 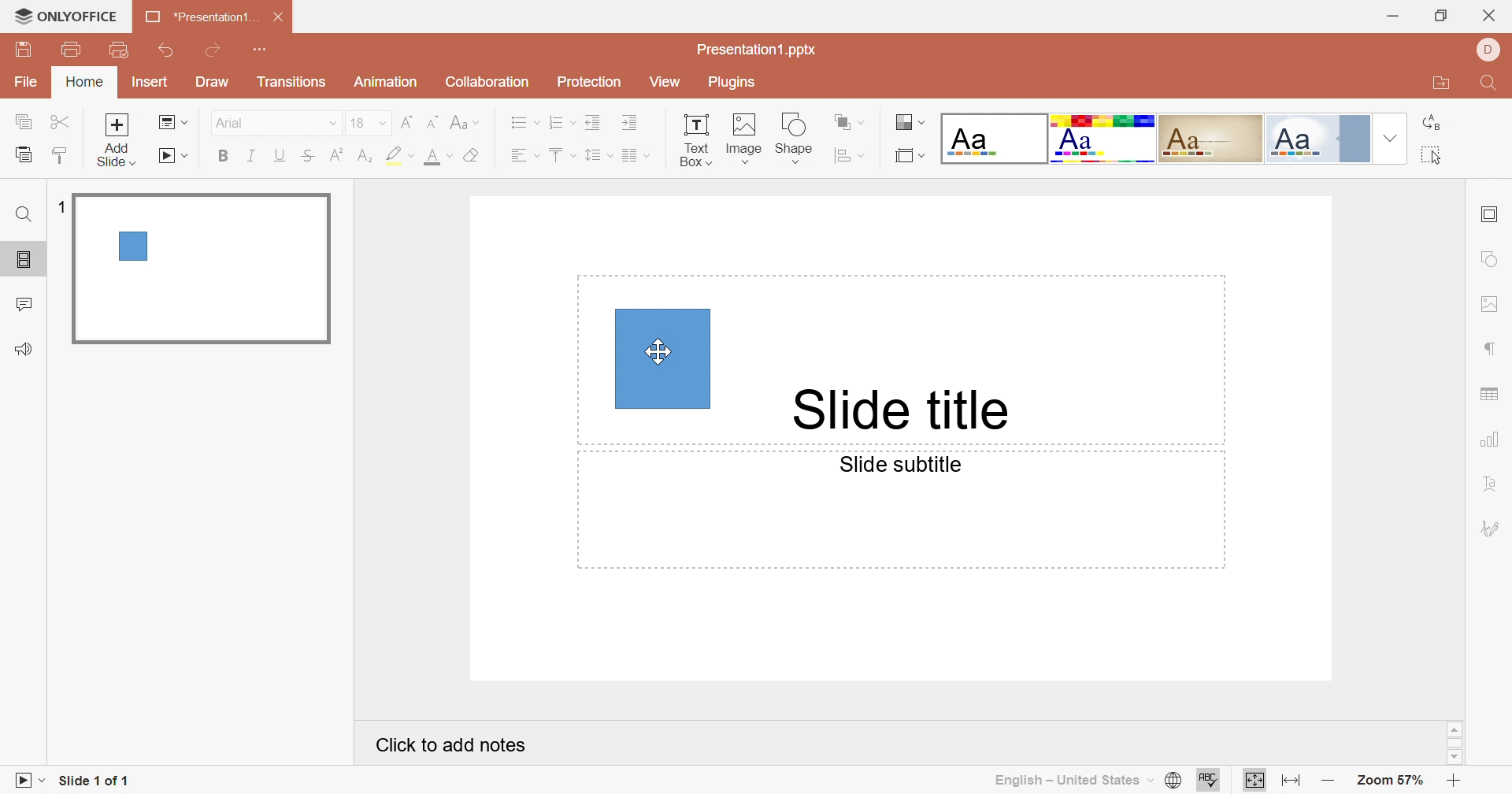 I want to click on Animation, so click(x=389, y=80).